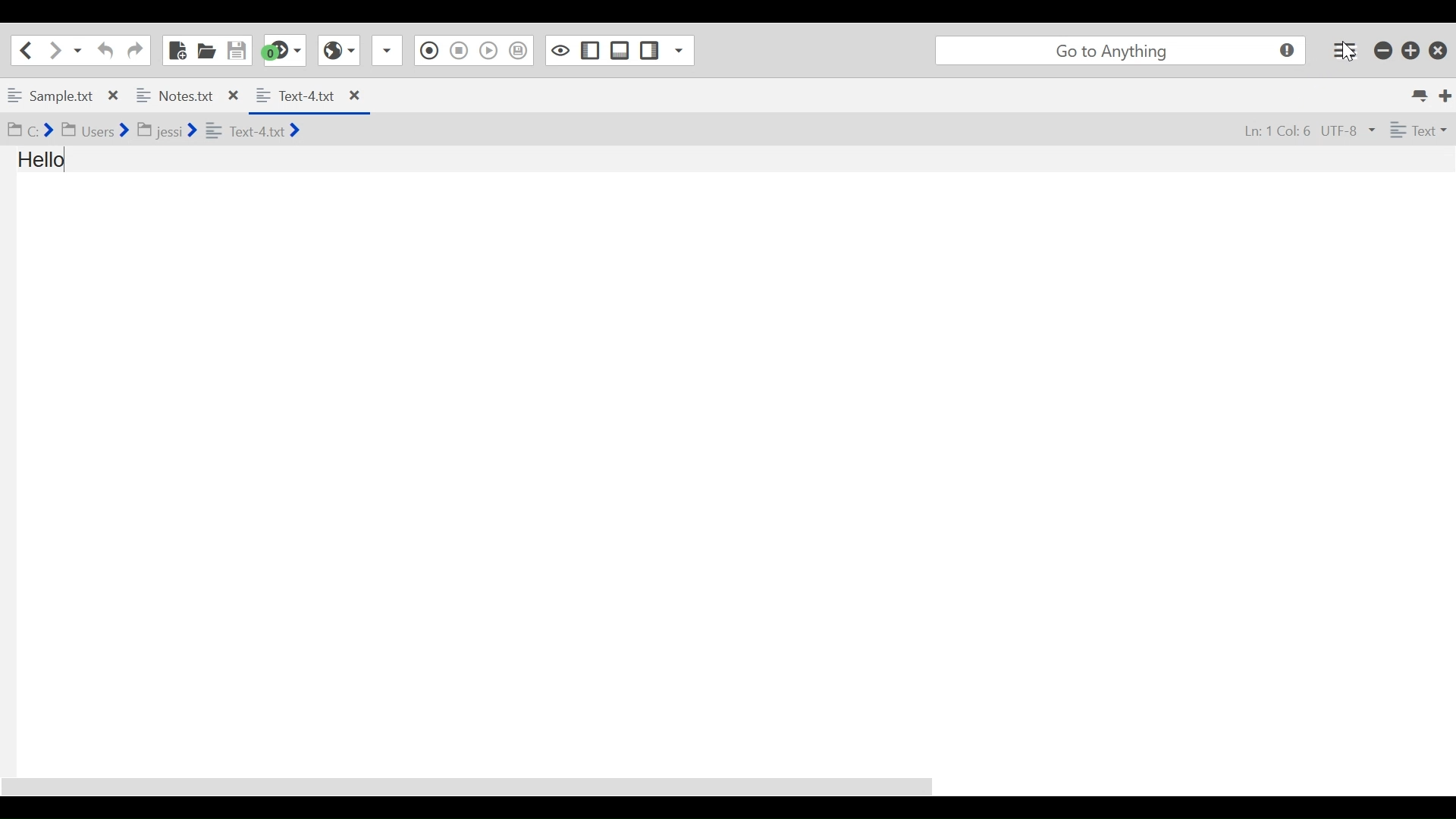 This screenshot has height=819, width=1456. Describe the element at coordinates (135, 51) in the screenshot. I see `Redo last Action` at that location.